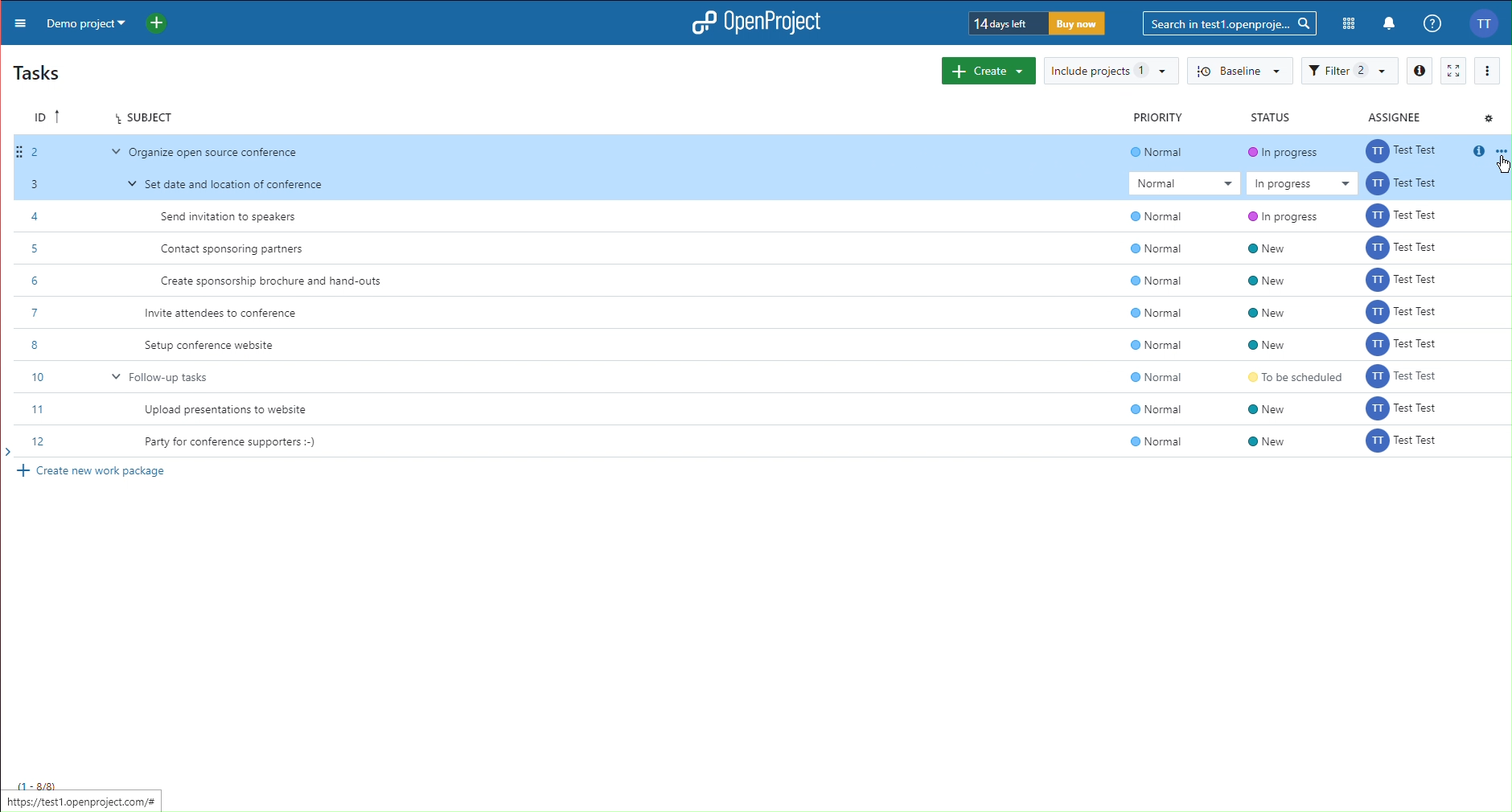 The height and width of the screenshot is (812, 1512). I want to click on assignee, so click(1395, 297).